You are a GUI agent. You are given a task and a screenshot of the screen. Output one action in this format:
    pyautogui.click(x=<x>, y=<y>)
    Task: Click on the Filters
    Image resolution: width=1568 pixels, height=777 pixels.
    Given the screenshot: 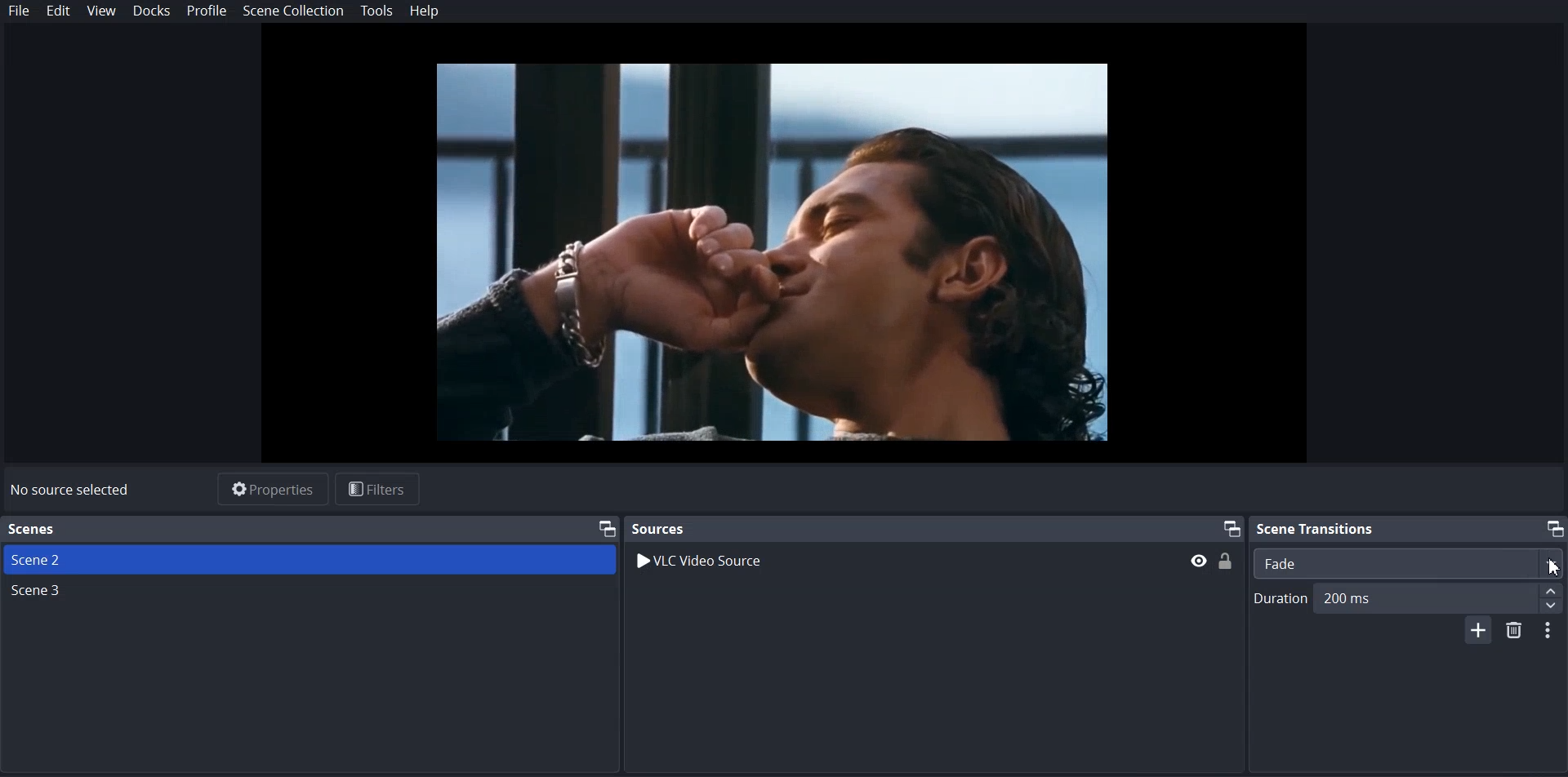 What is the action you would take?
    pyautogui.click(x=378, y=490)
    